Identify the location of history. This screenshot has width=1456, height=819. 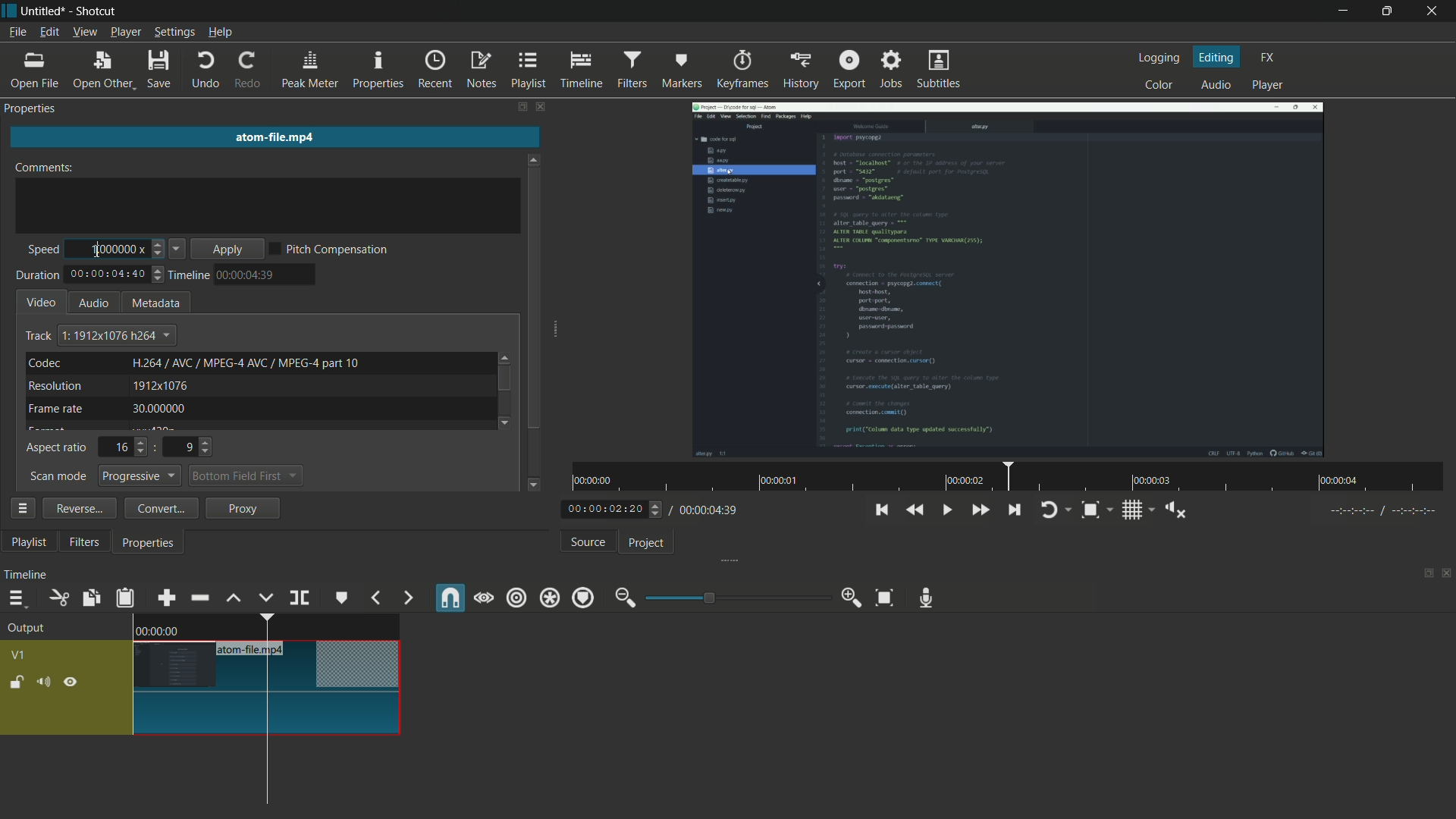
(800, 70).